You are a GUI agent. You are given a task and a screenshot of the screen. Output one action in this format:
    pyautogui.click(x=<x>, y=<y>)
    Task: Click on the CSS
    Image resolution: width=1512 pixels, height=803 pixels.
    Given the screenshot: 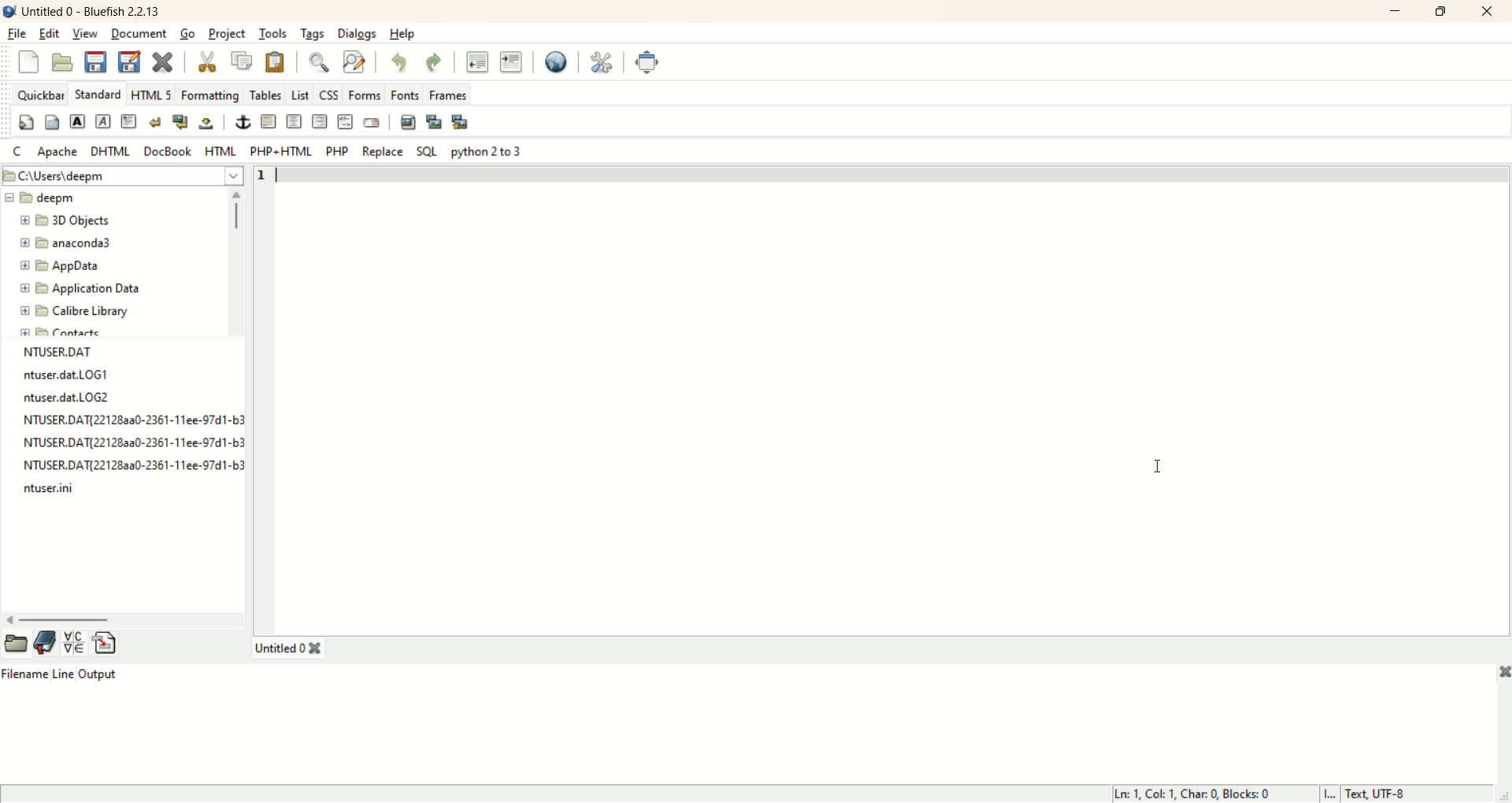 What is the action you would take?
    pyautogui.click(x=331, y=95)
    